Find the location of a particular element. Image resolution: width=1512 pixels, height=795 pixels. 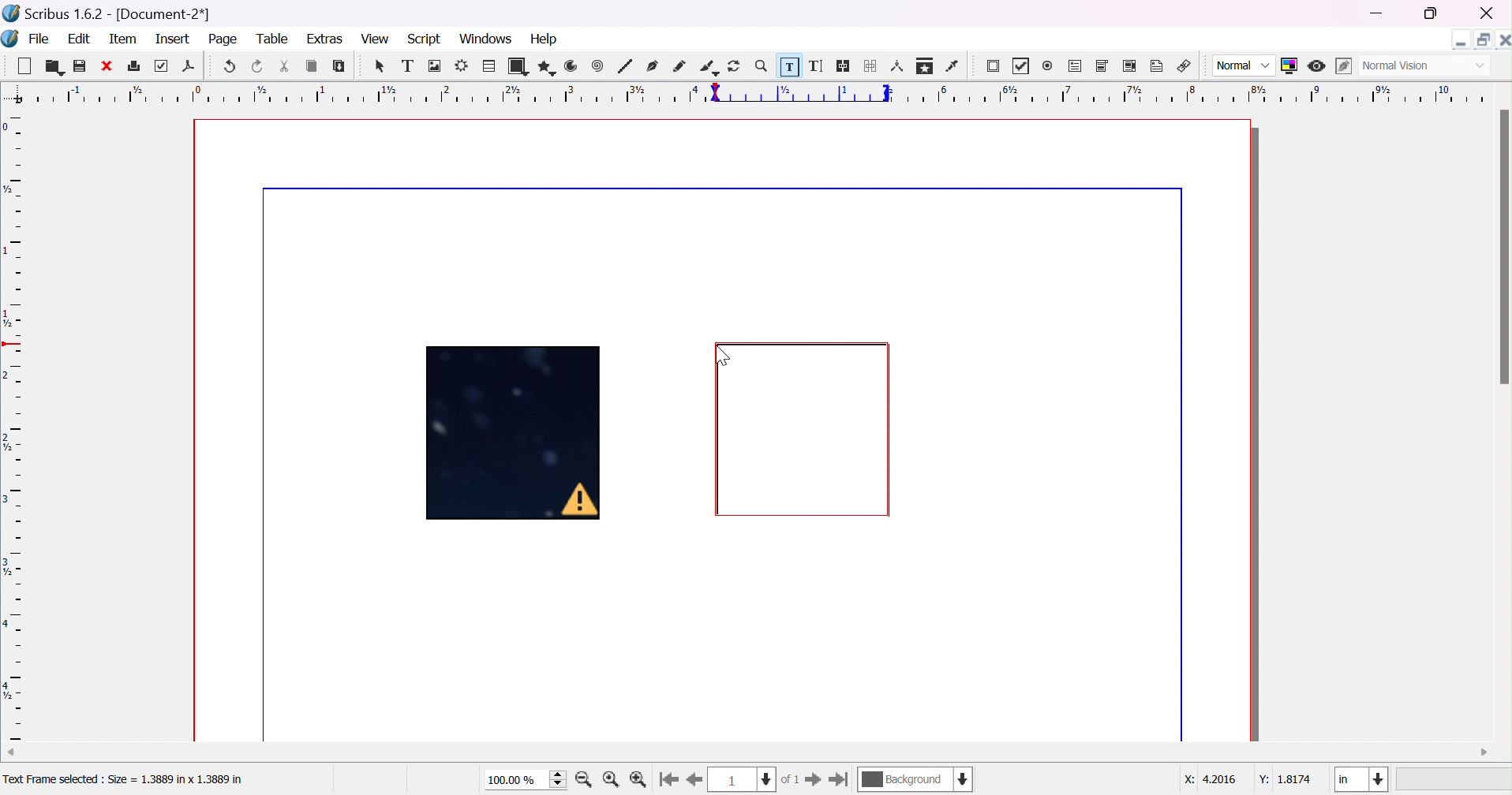

Text Frame selected : Size = 1.3889 in x 1.3889 in is located at coordinates (124, 780).